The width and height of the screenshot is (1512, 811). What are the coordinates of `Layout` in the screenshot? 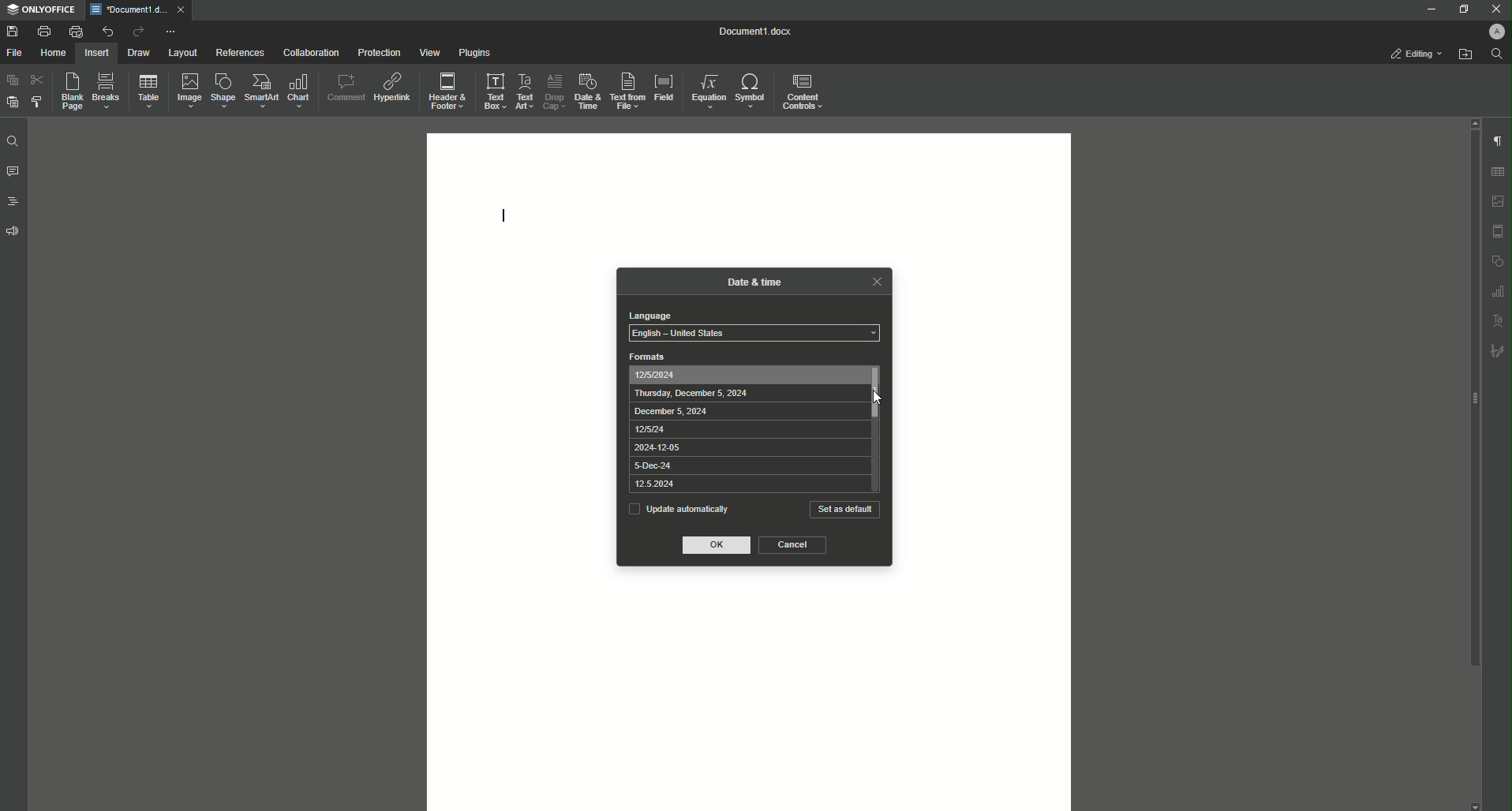 It's located at (183, 53).